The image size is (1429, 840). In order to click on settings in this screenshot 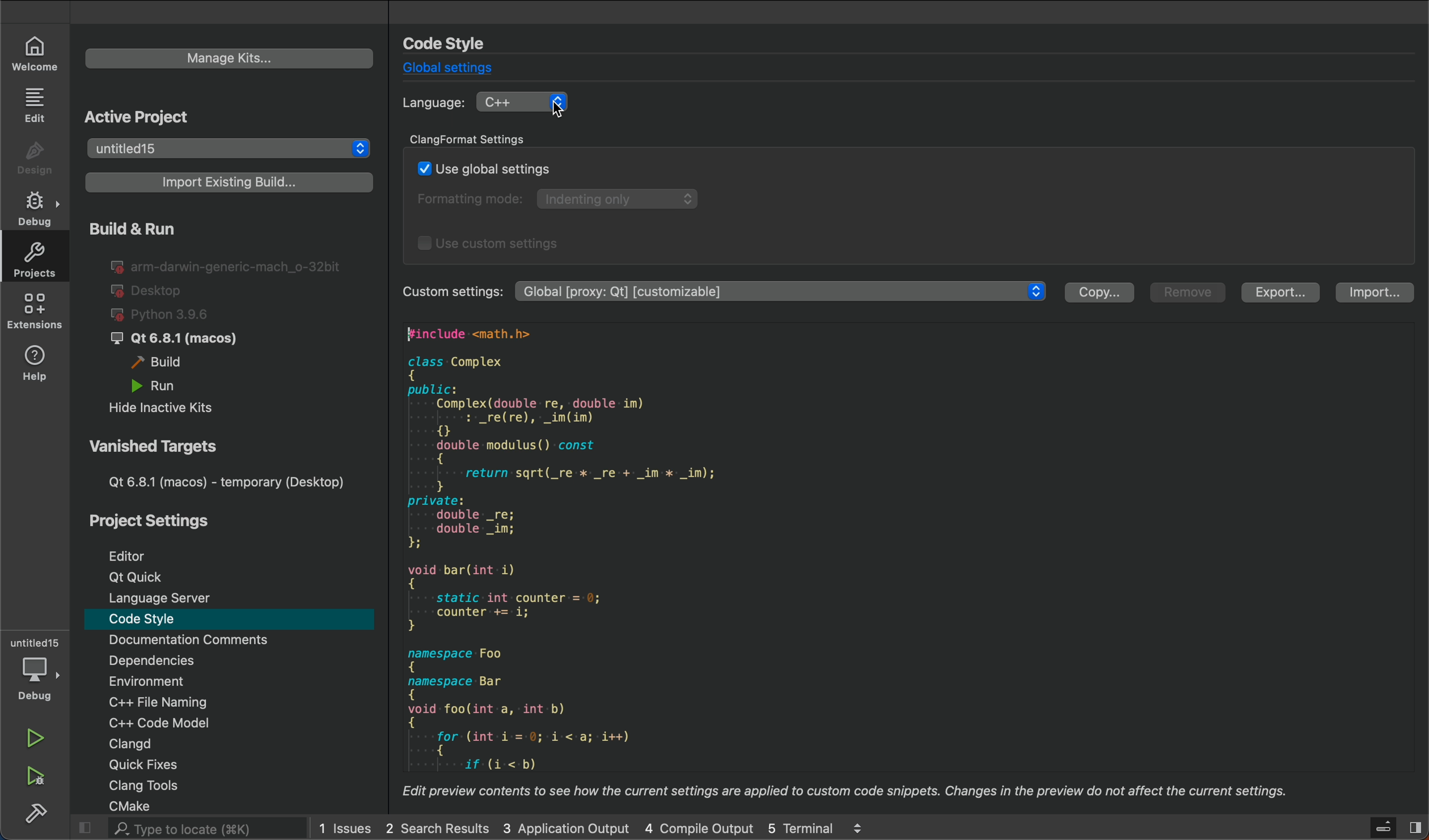, I will do `click(784, 292)`.